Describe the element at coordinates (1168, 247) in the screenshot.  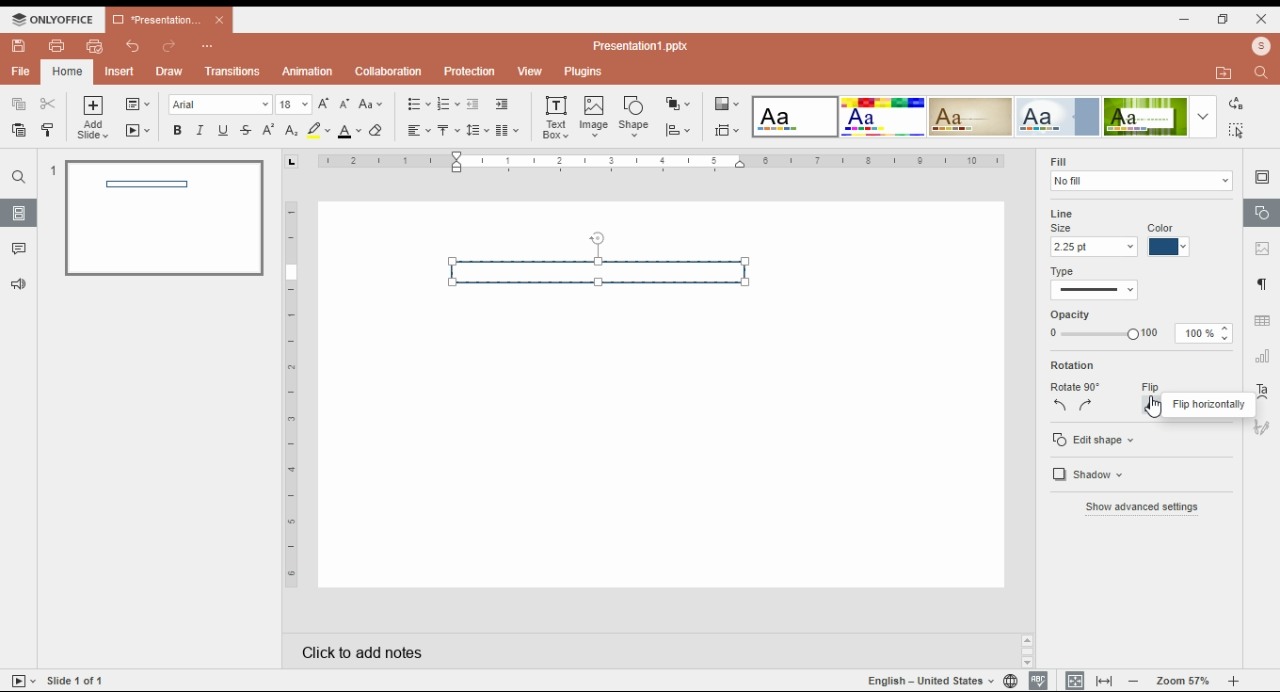
I see `line color` at that location.